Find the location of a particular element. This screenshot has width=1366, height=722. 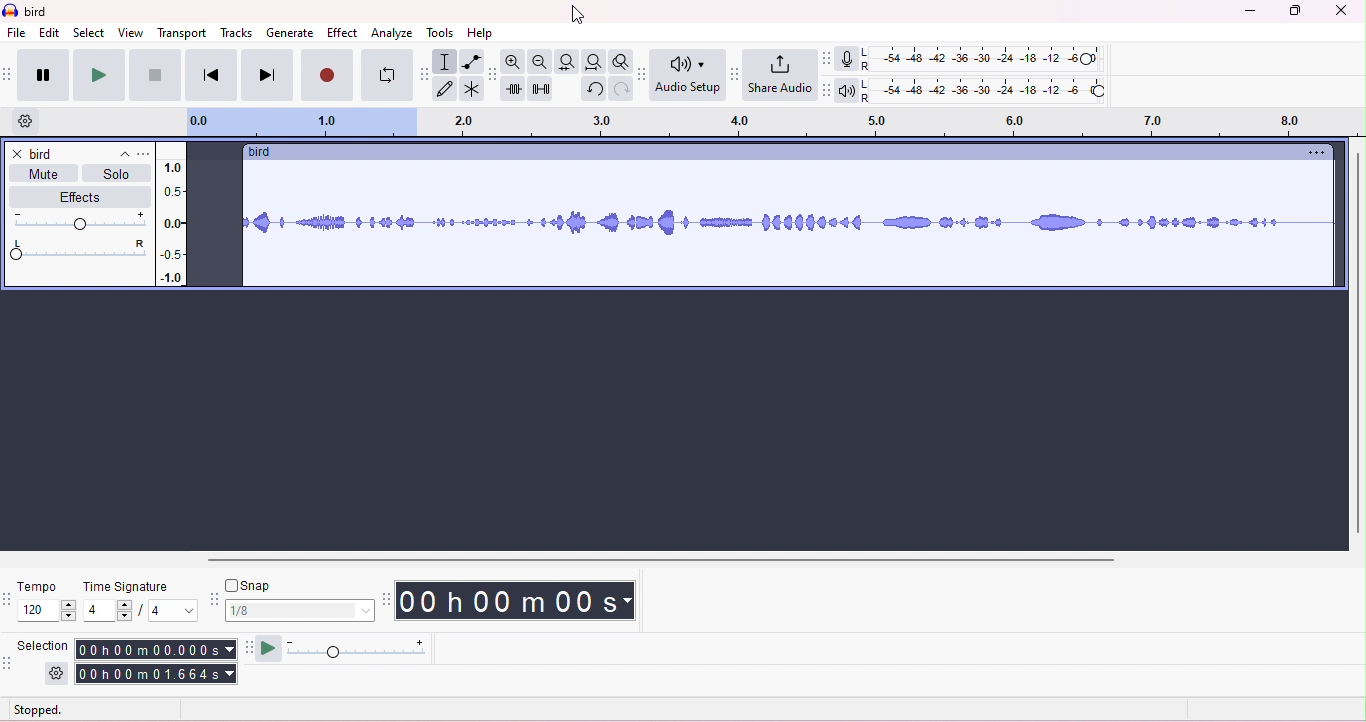

pause is located at coordinates (41, 72).